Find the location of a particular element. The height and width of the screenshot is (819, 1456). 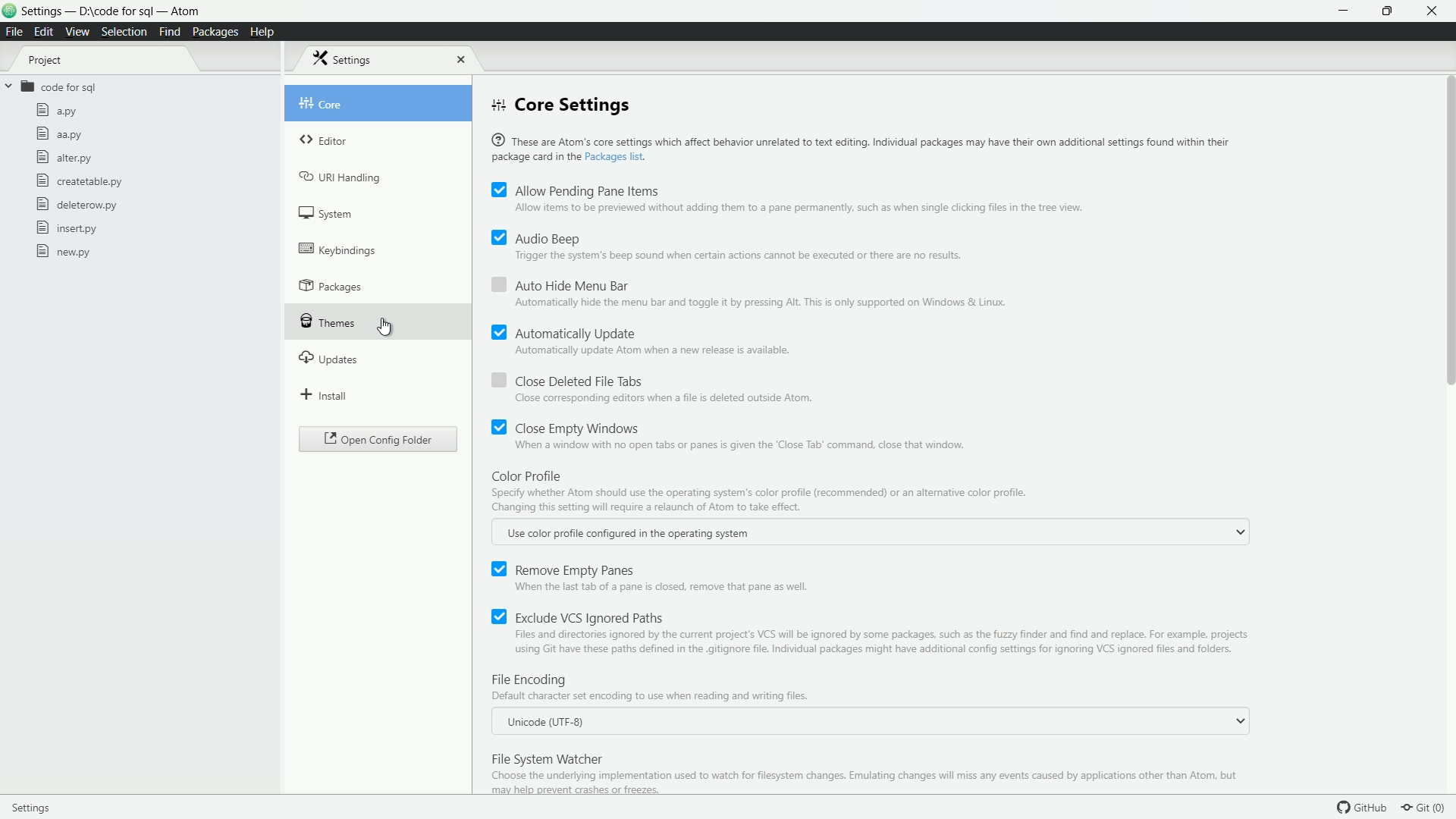

new.py file is located at coordinates (64, 251).